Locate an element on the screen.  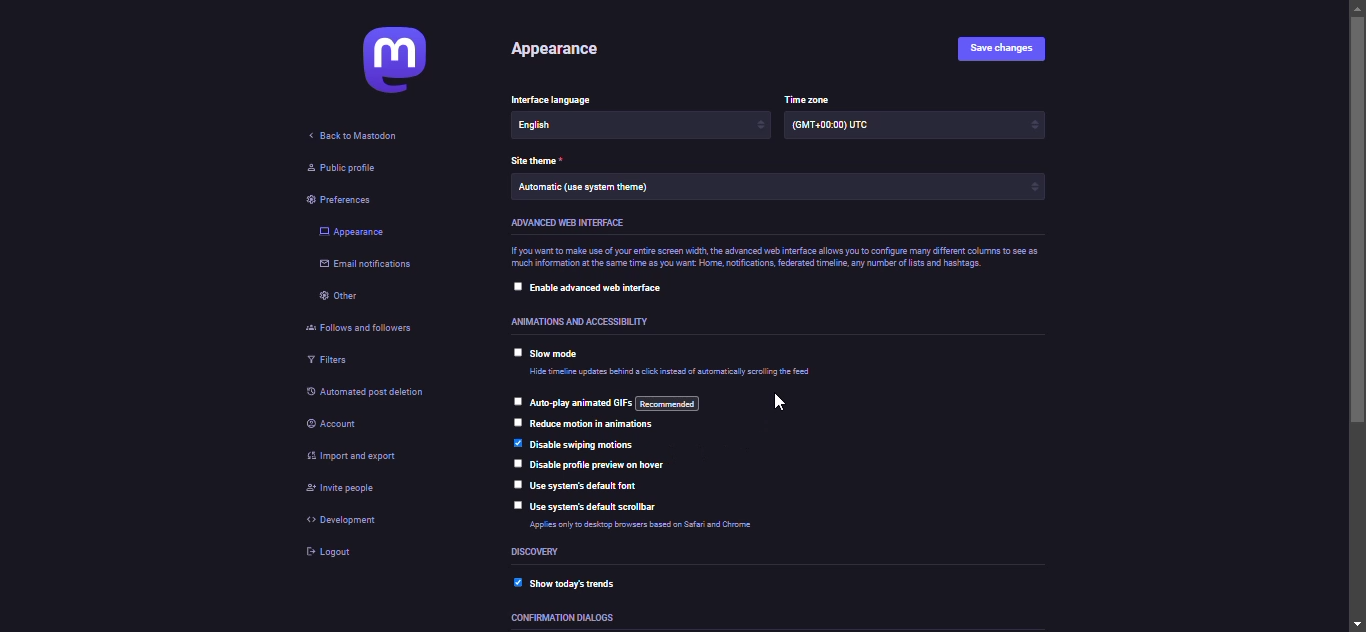
invite people is located at coordinates (343, 492).